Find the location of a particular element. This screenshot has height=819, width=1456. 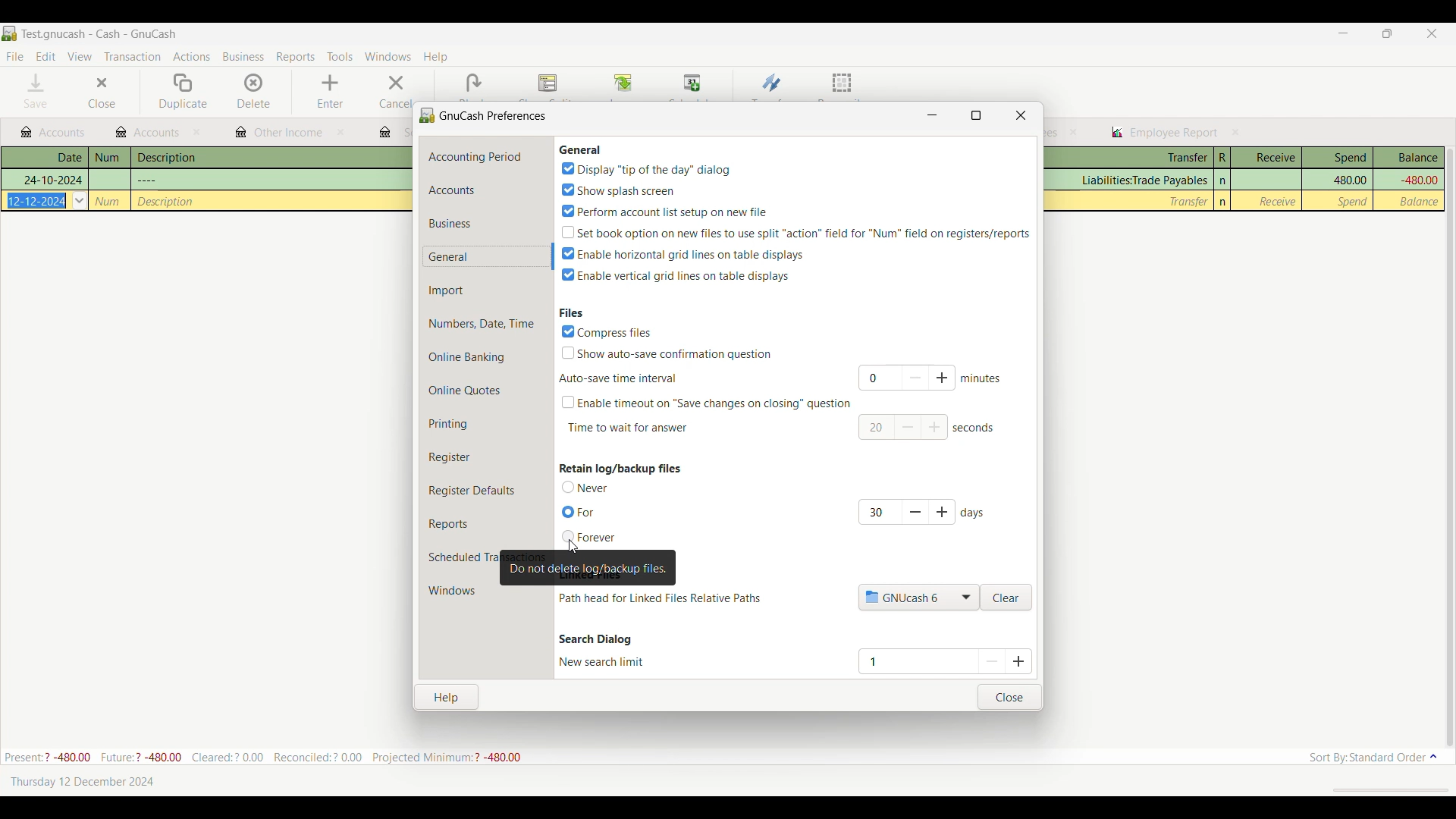

Close is located at coordinates (1009, 697).